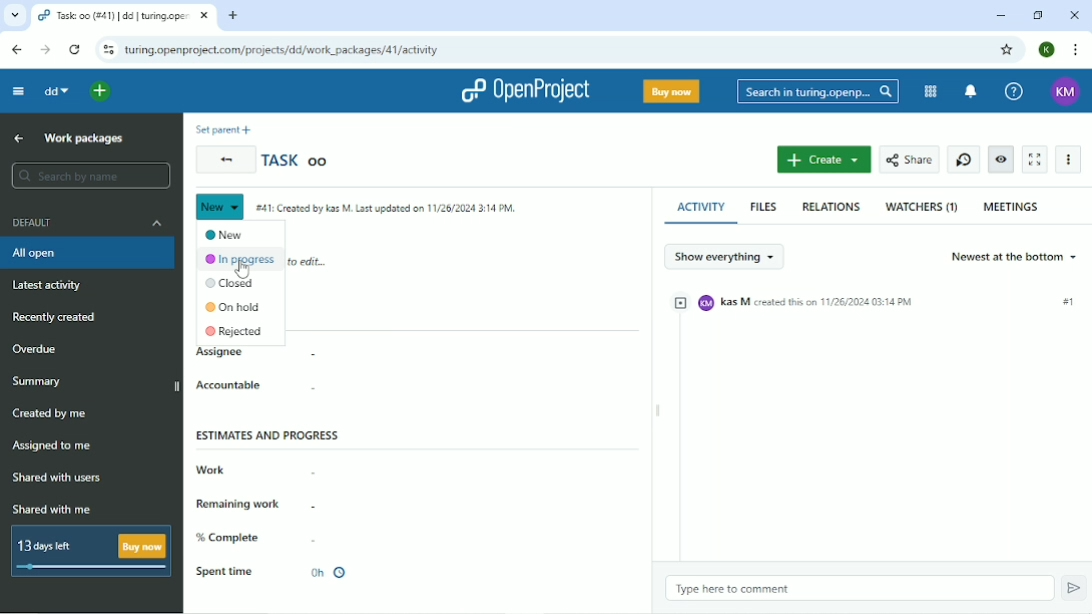  I want to click on Summary, so click(93, 384).